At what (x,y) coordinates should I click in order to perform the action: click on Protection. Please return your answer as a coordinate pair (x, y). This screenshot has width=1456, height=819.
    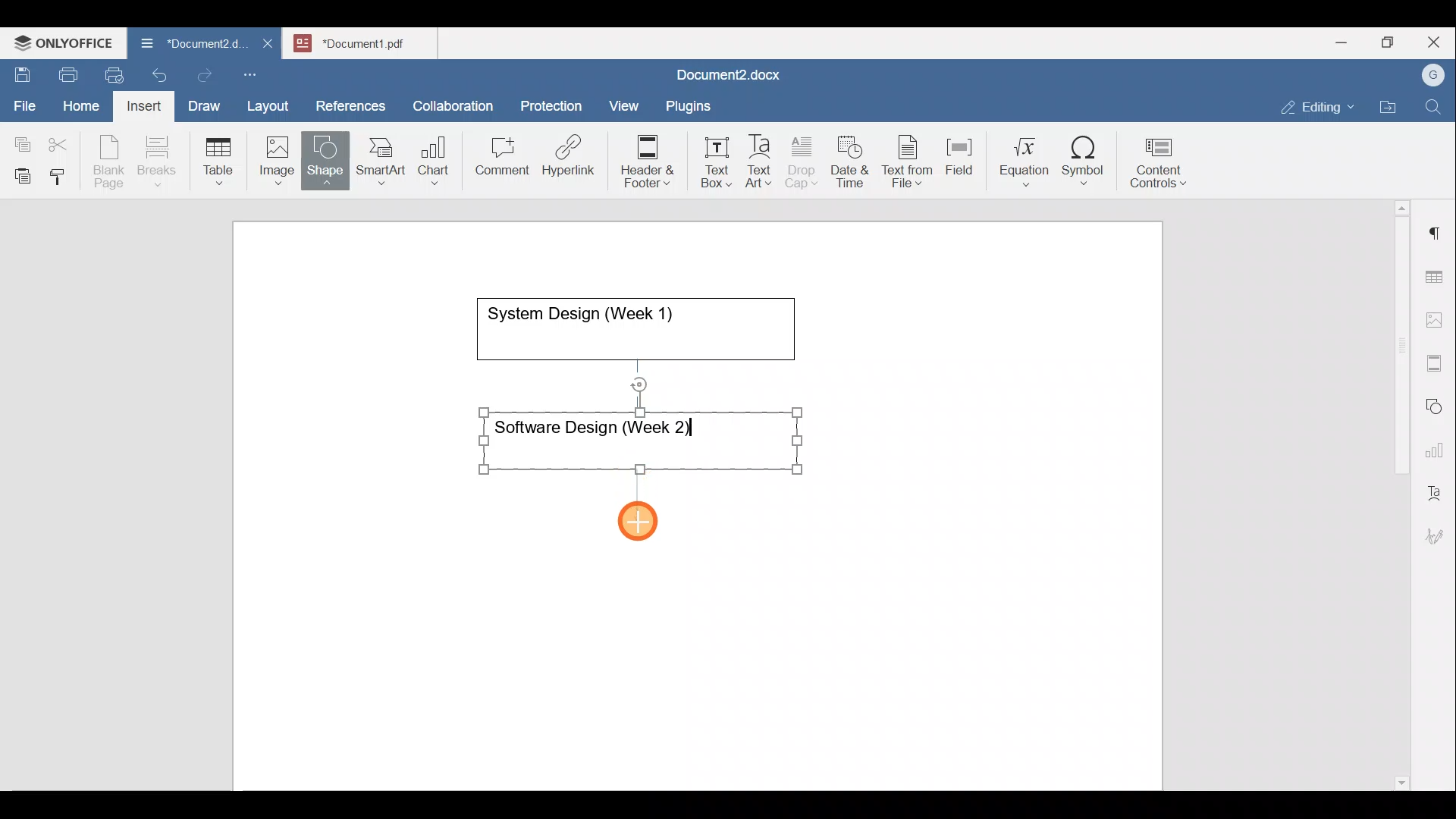
    Looking at the image, I should click on (556, 104).